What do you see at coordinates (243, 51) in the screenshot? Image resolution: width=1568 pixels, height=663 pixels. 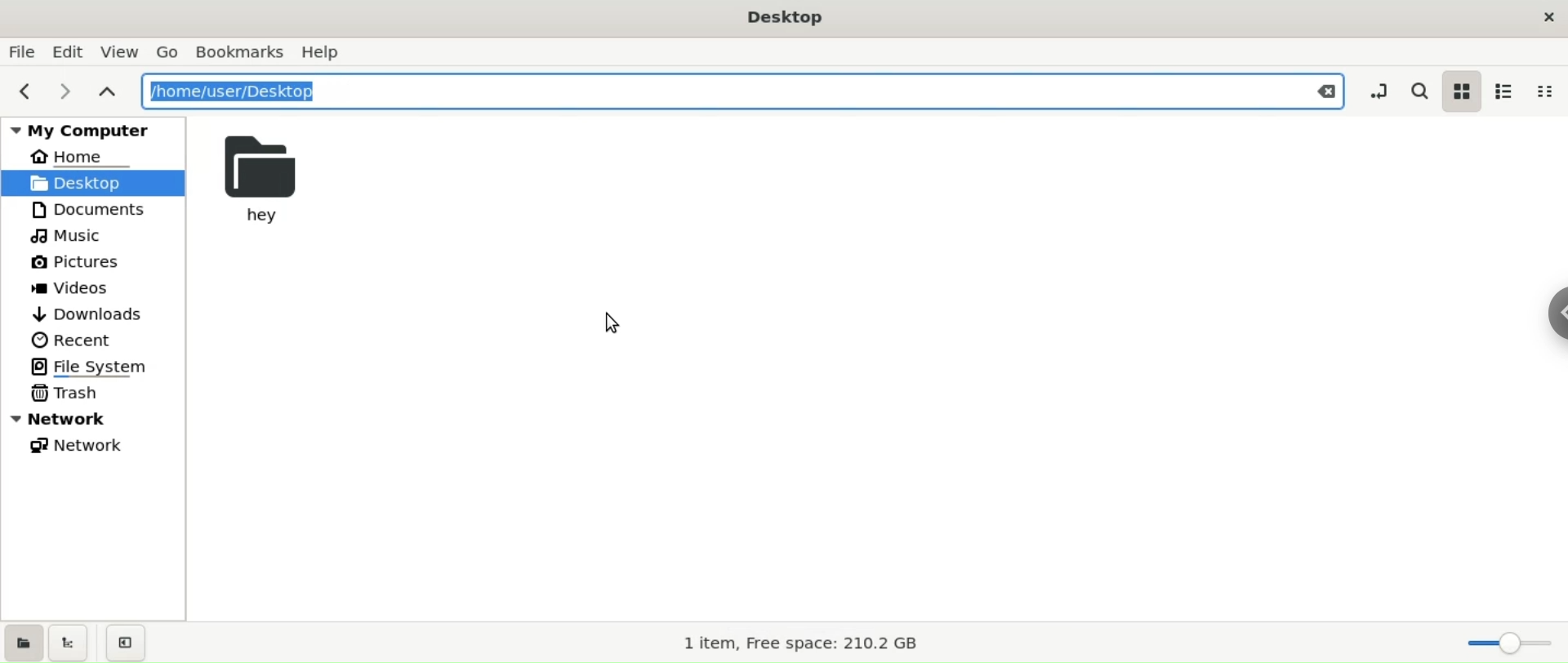 I see `bookamarks` at bounding box center [243, 51].